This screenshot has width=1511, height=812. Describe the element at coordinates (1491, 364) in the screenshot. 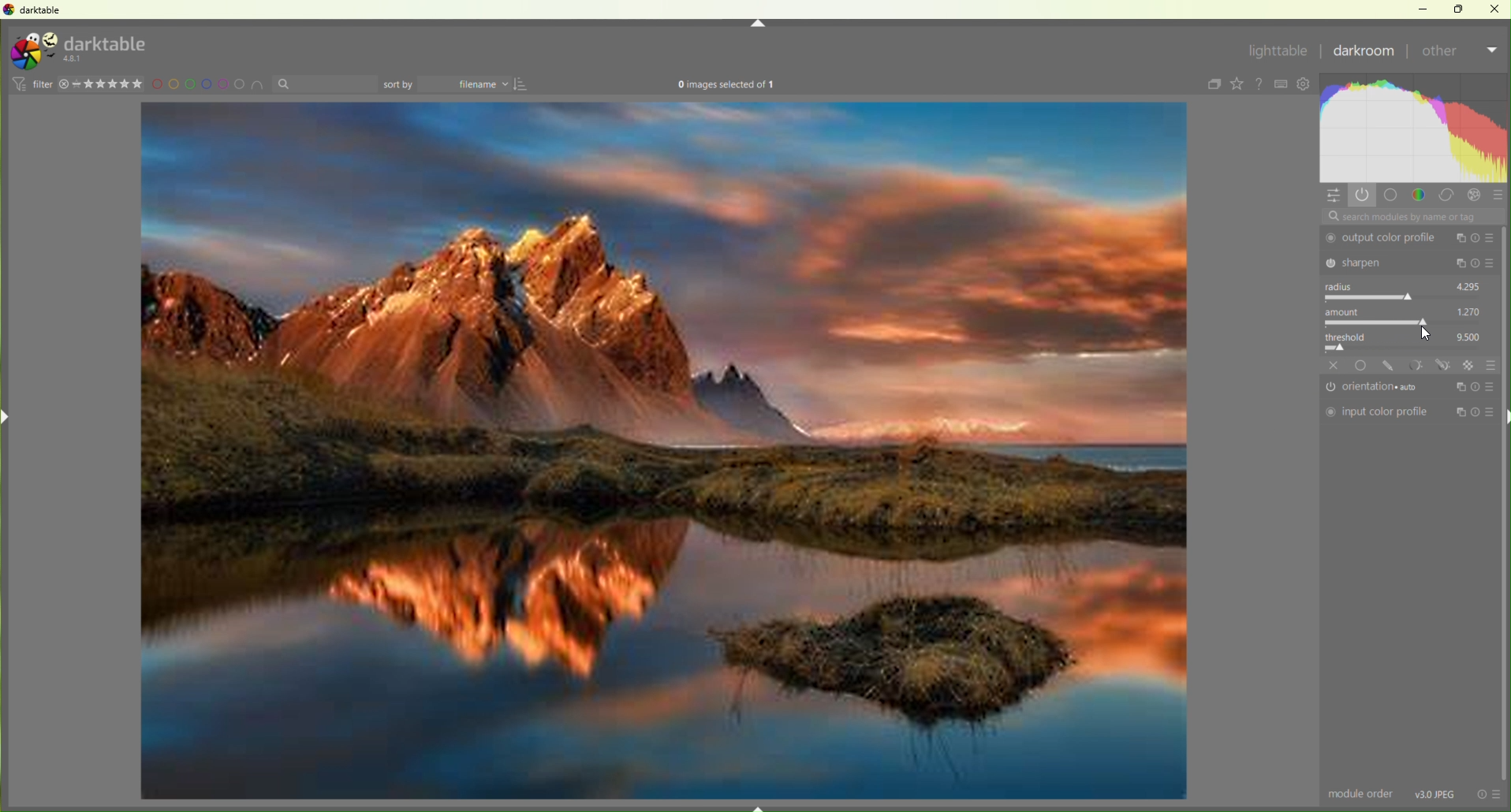

I see `Presets ` at that location.